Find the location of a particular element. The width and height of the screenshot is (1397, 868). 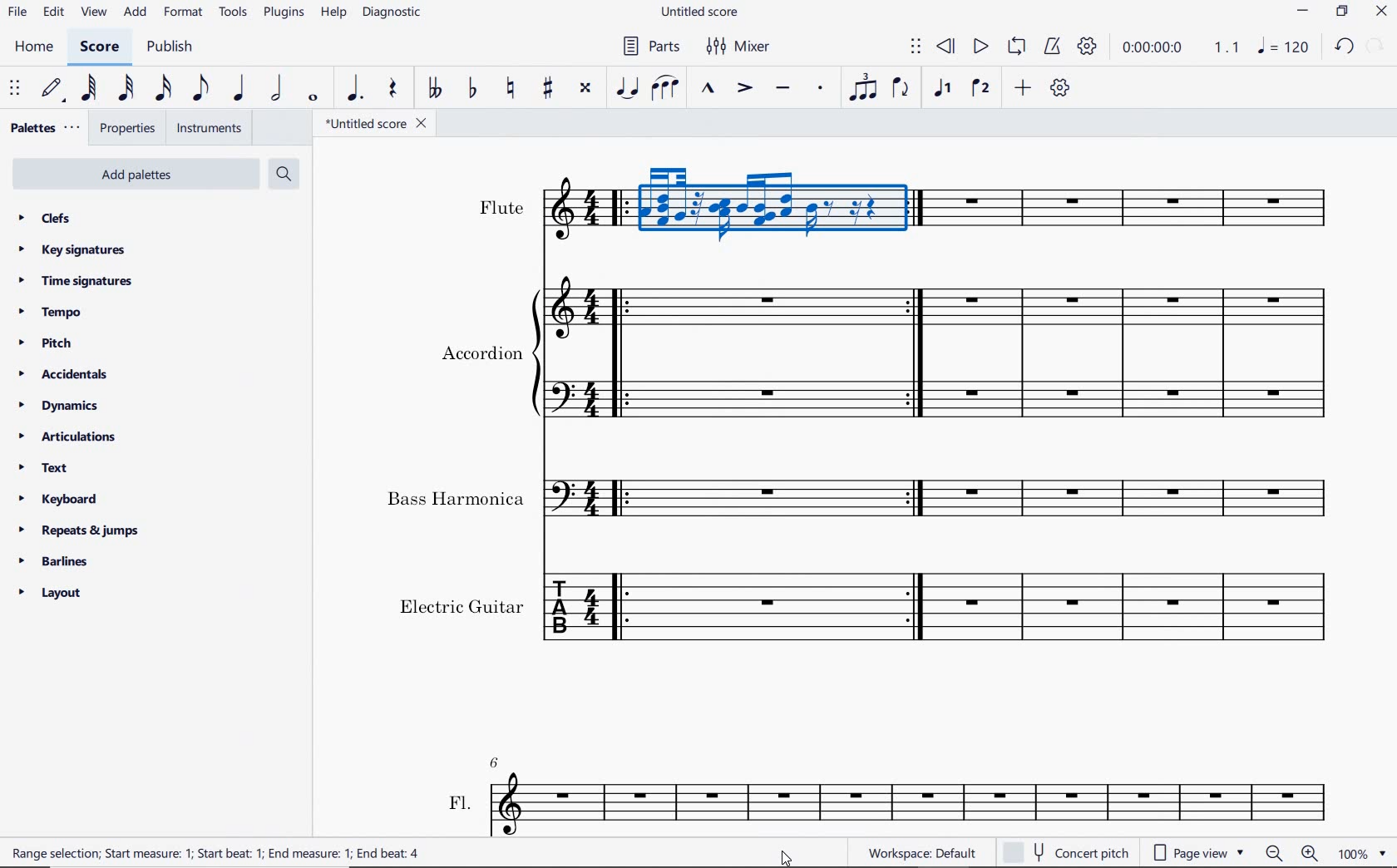

help is located at coordinates (333, 14).